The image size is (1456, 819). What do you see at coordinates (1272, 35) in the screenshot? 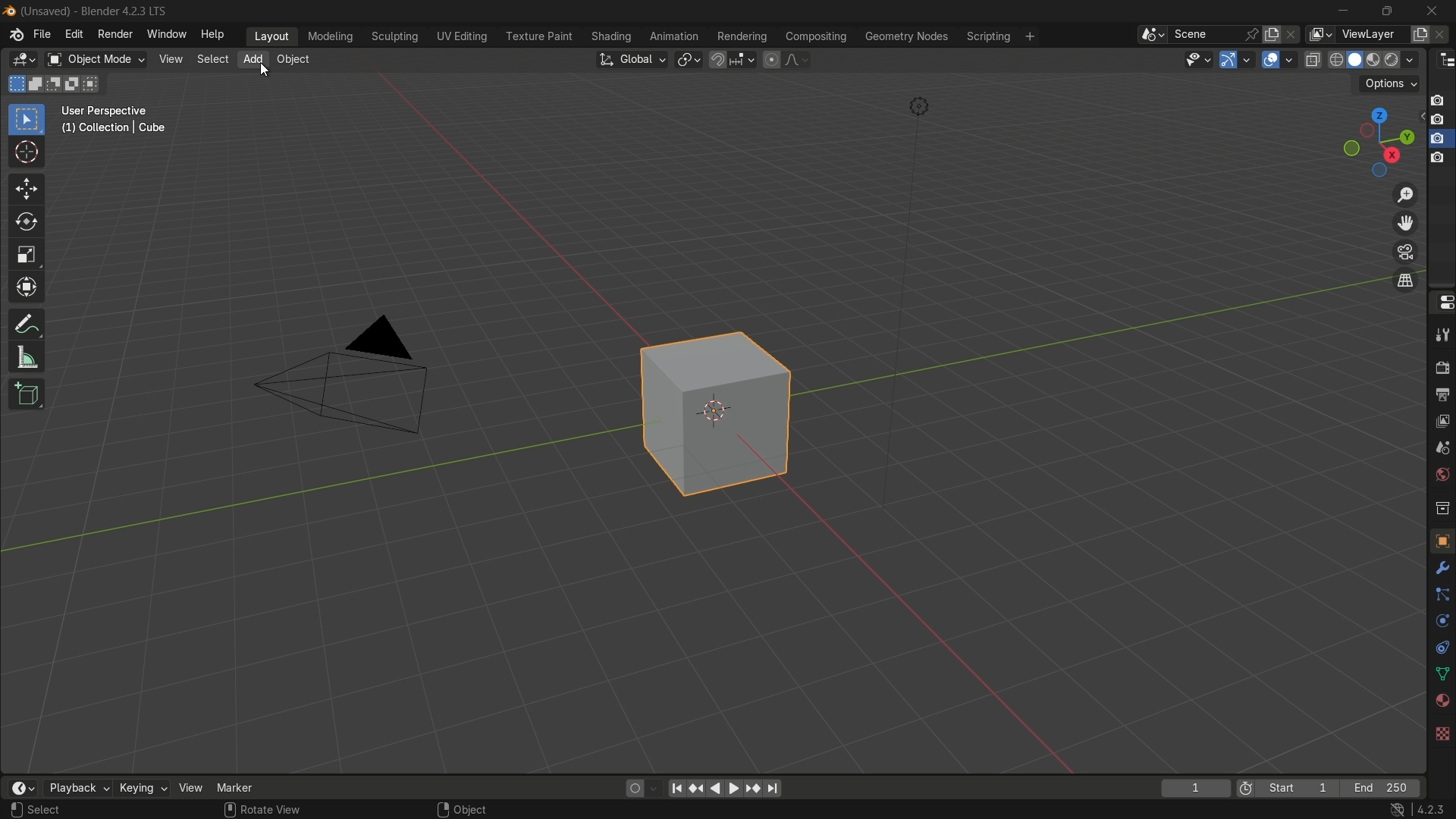
I see `add scene` at bounding box center [1272, 35].